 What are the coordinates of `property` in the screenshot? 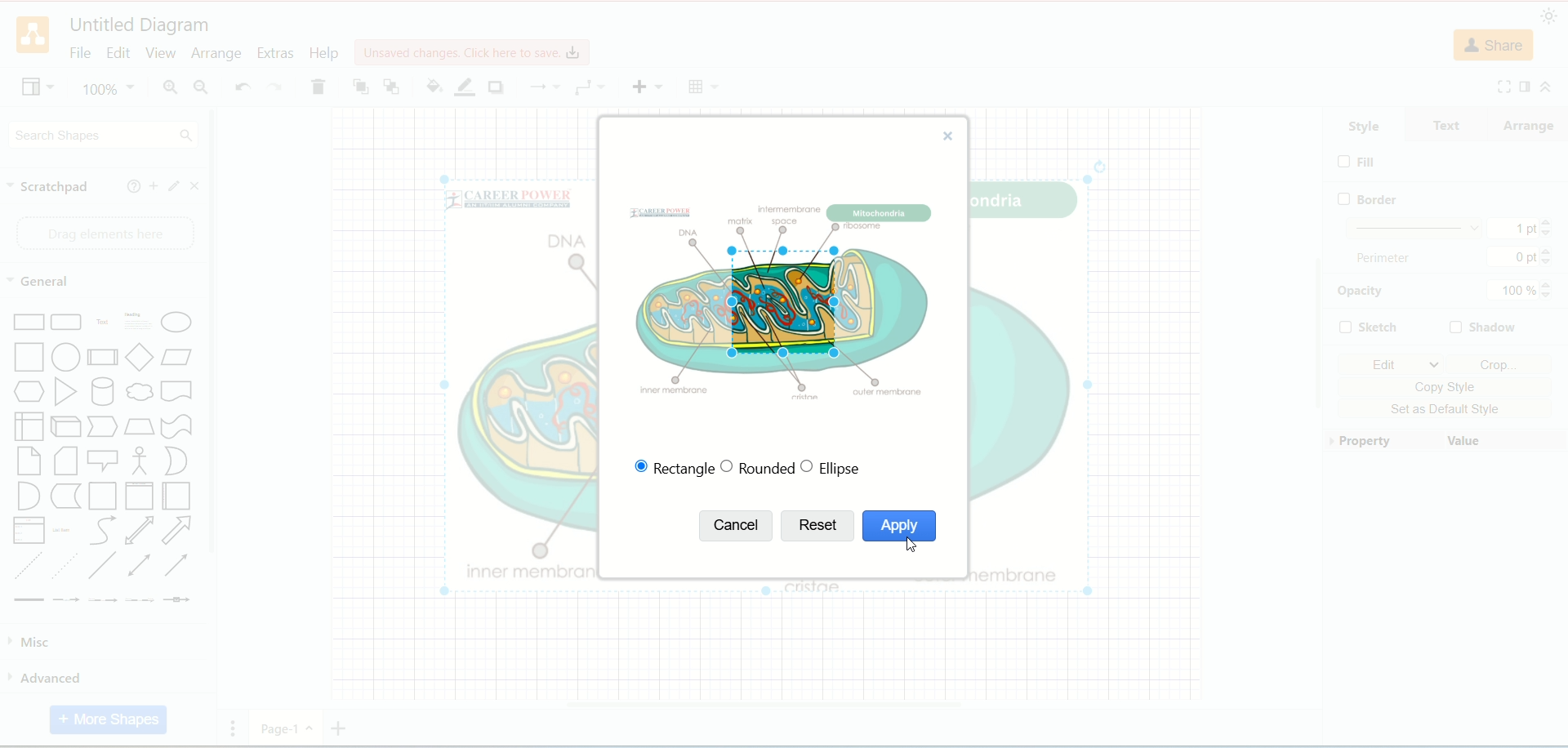 It's located at (1383, 443).